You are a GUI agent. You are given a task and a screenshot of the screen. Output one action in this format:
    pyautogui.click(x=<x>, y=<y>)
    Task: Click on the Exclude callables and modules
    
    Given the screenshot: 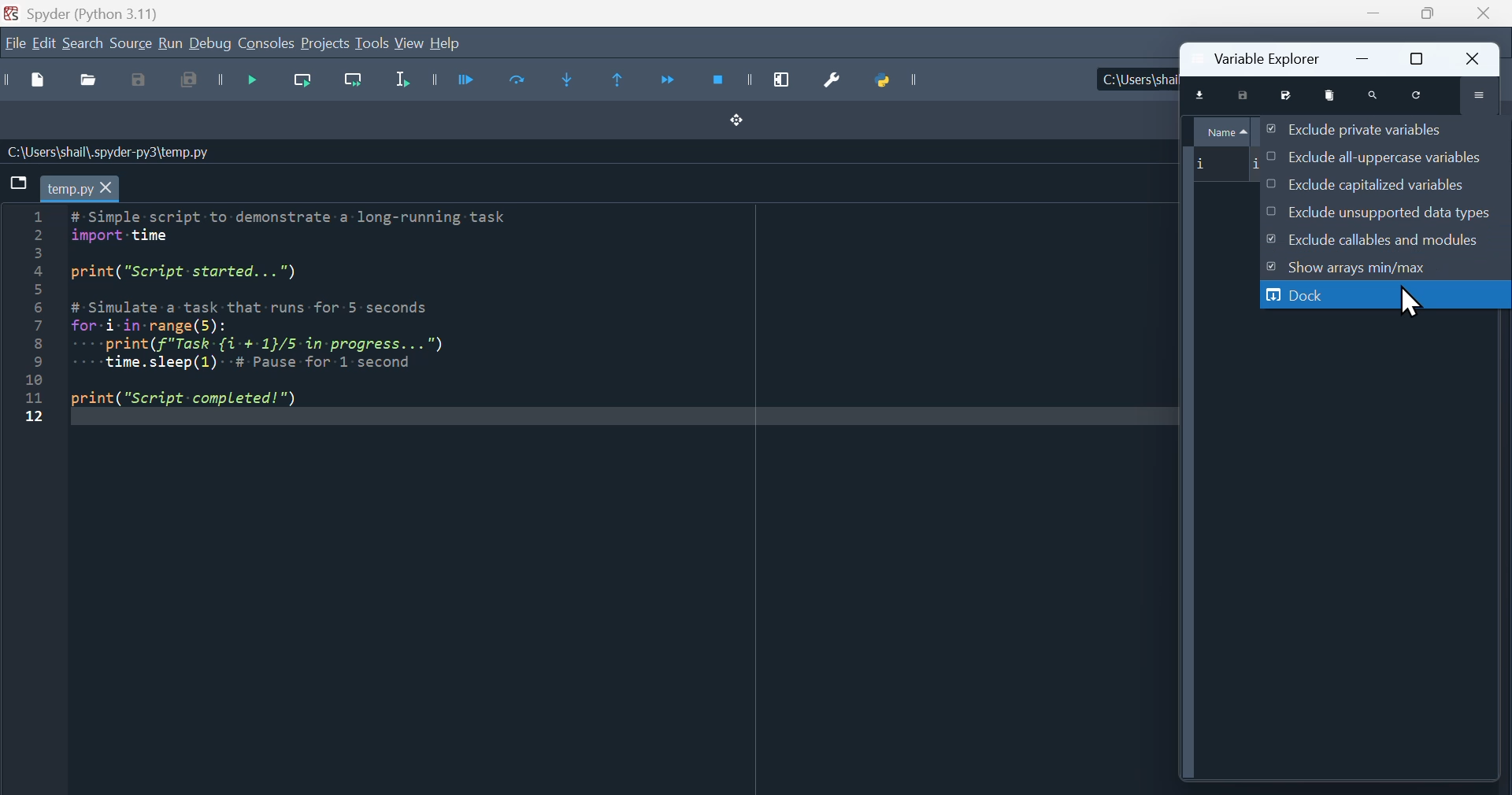 What is the action you would take?
    pyautogui.click(x=1384, y=242)
    